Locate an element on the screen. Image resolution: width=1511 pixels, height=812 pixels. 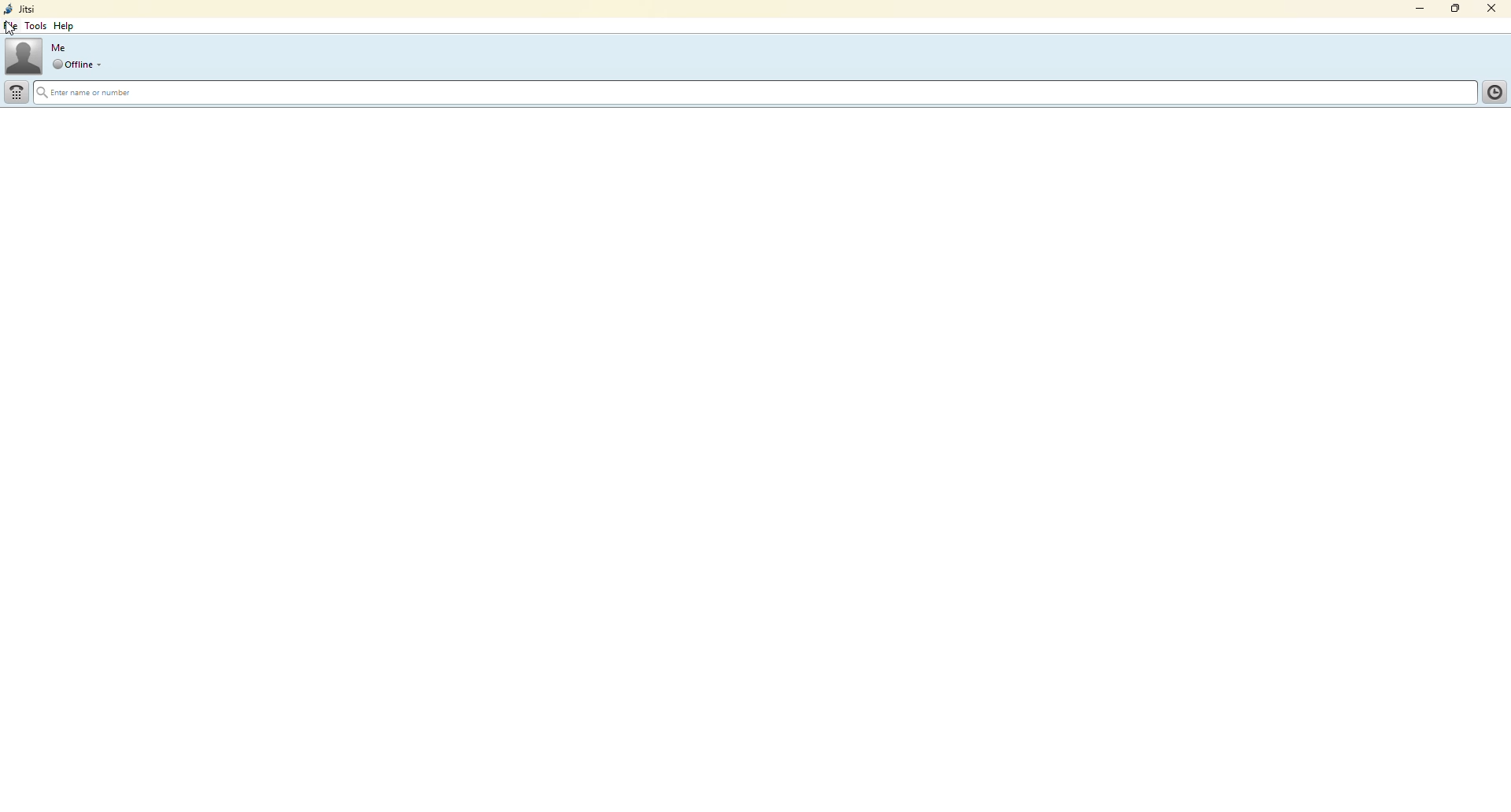
offline is located at coordinates (72, 65).